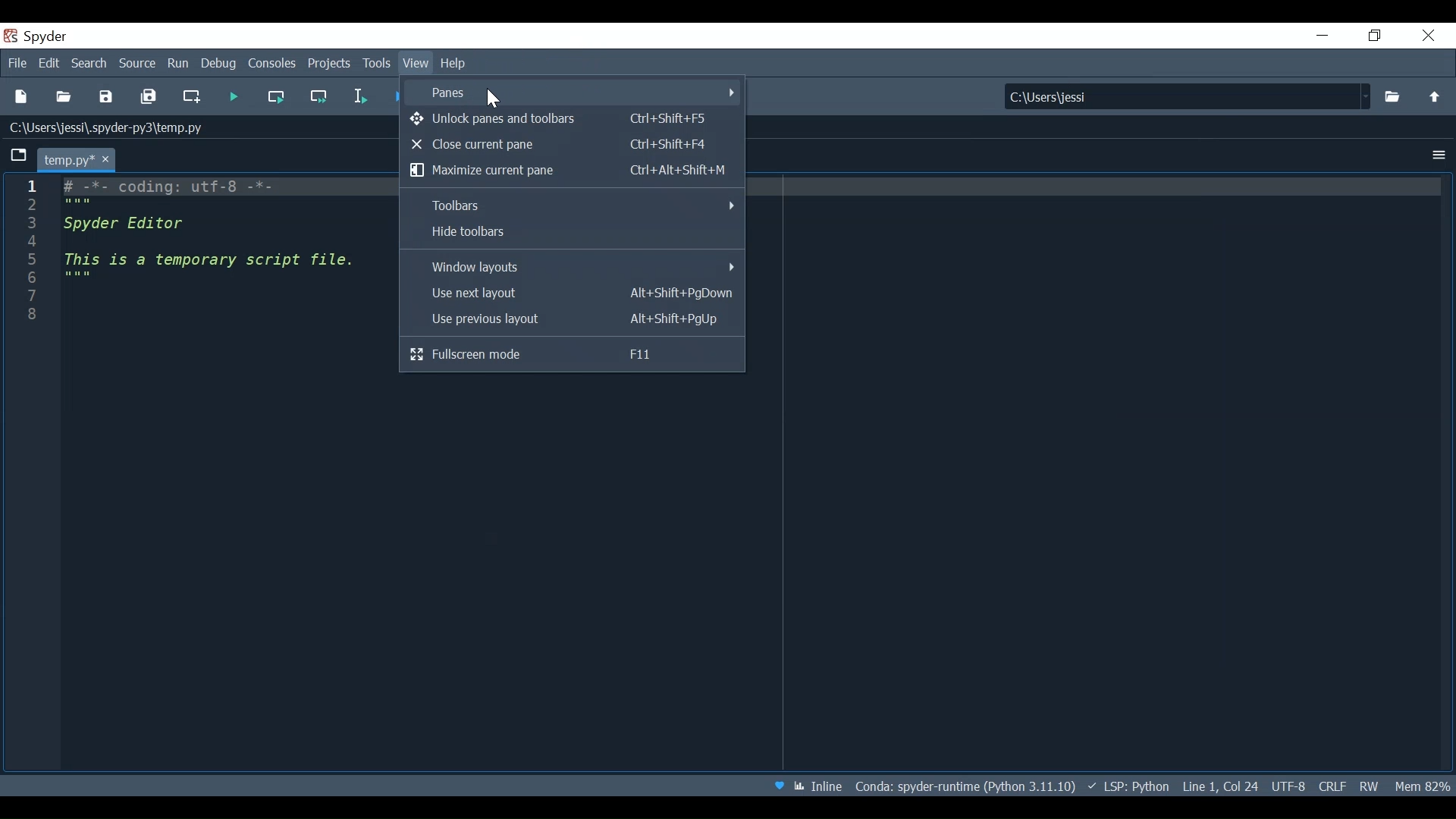 The height and width of the screenshot is (819, 1456). Describe the element at coordinates (233, 98) in the screenshot. I see `Run` at that location.